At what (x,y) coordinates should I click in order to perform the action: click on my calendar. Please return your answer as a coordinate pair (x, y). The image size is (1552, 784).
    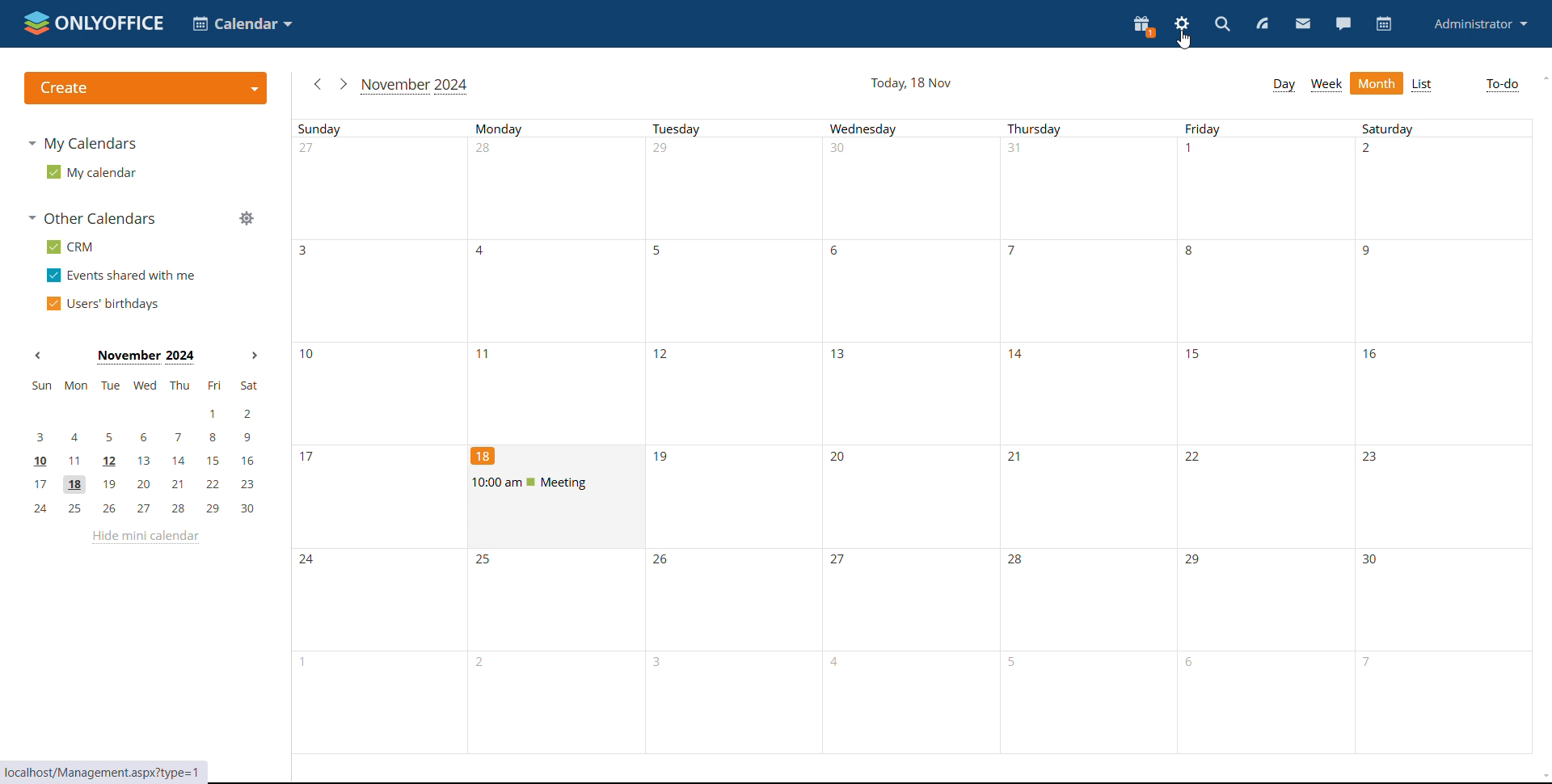
    Looking at the image, I should click on (91, 172).